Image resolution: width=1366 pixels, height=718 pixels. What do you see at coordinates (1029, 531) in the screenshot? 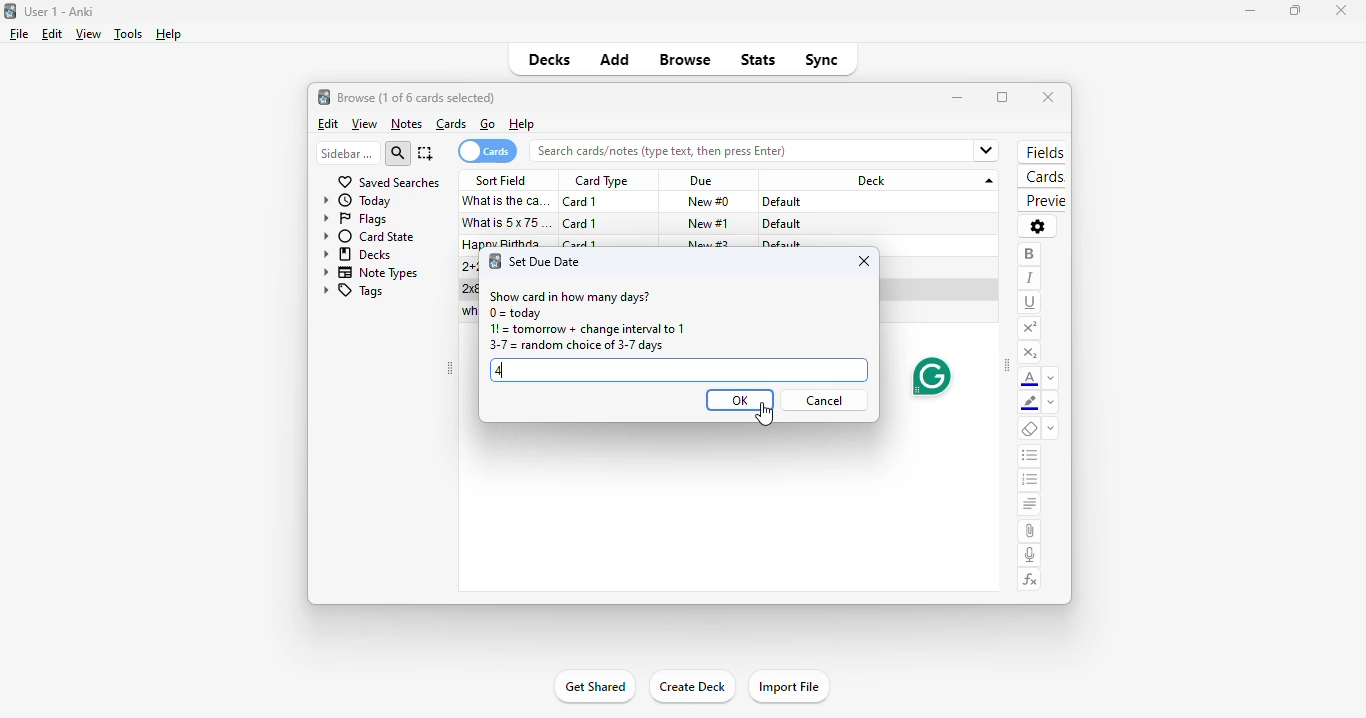
I see `attach pictures/audio/video` at bounding box center [1029, 531].